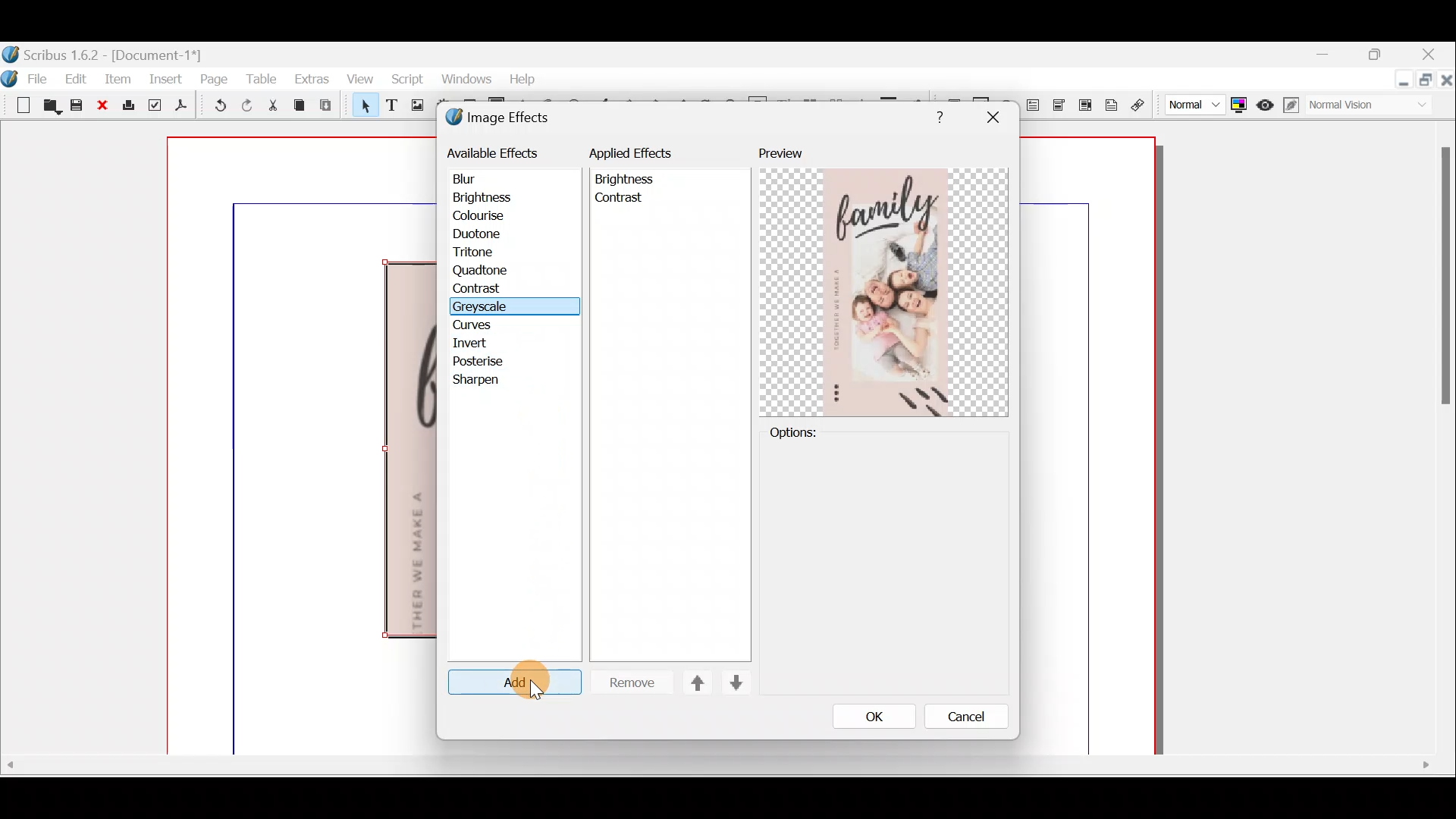 This screenshot has width=1456, height=819. Describe the element at coordinates (1289, 104) in the screenshot. I see `Edit in preview mode` at that location.